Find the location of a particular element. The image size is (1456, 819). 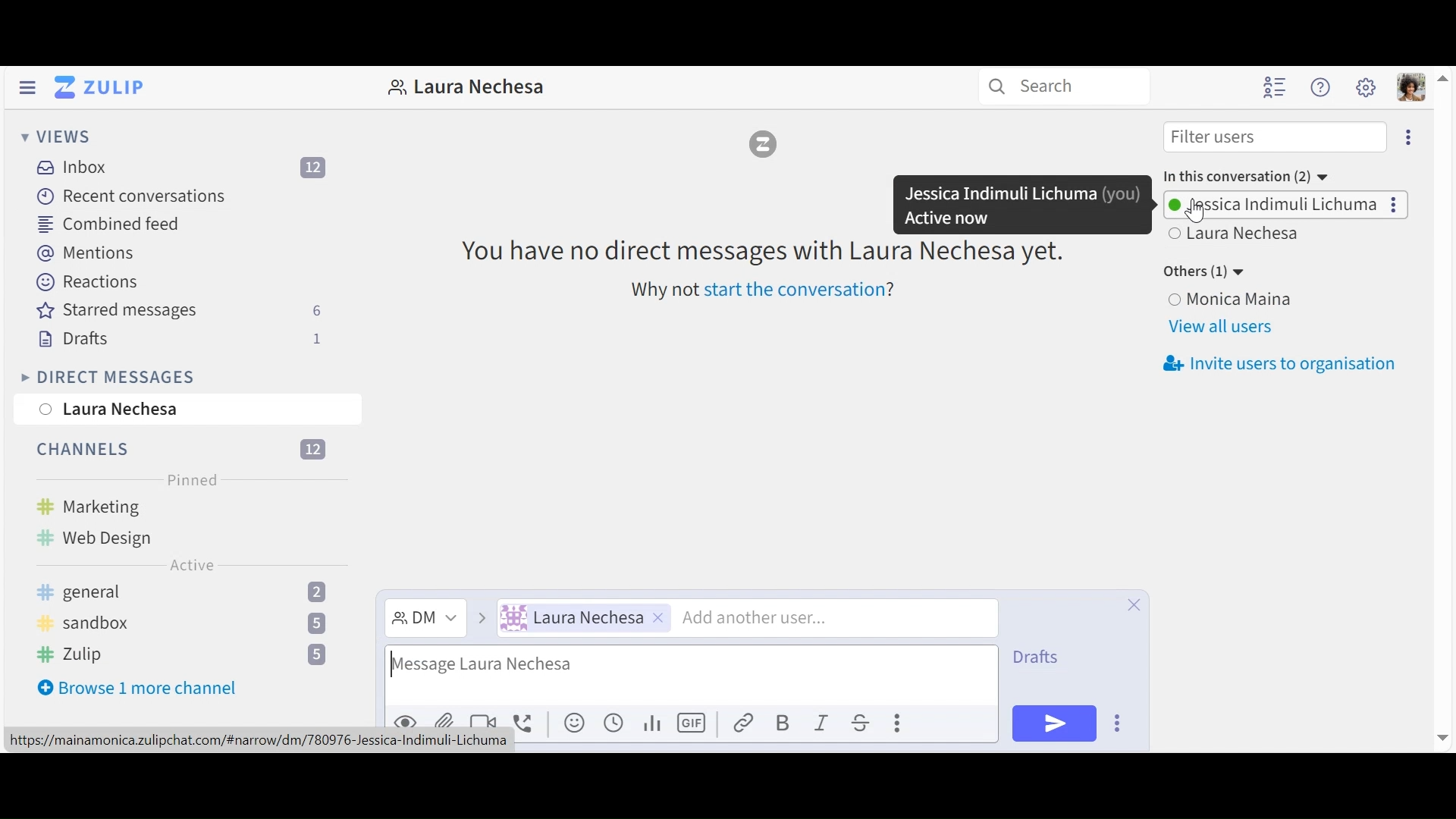

url is located at coordinates (259, 742).